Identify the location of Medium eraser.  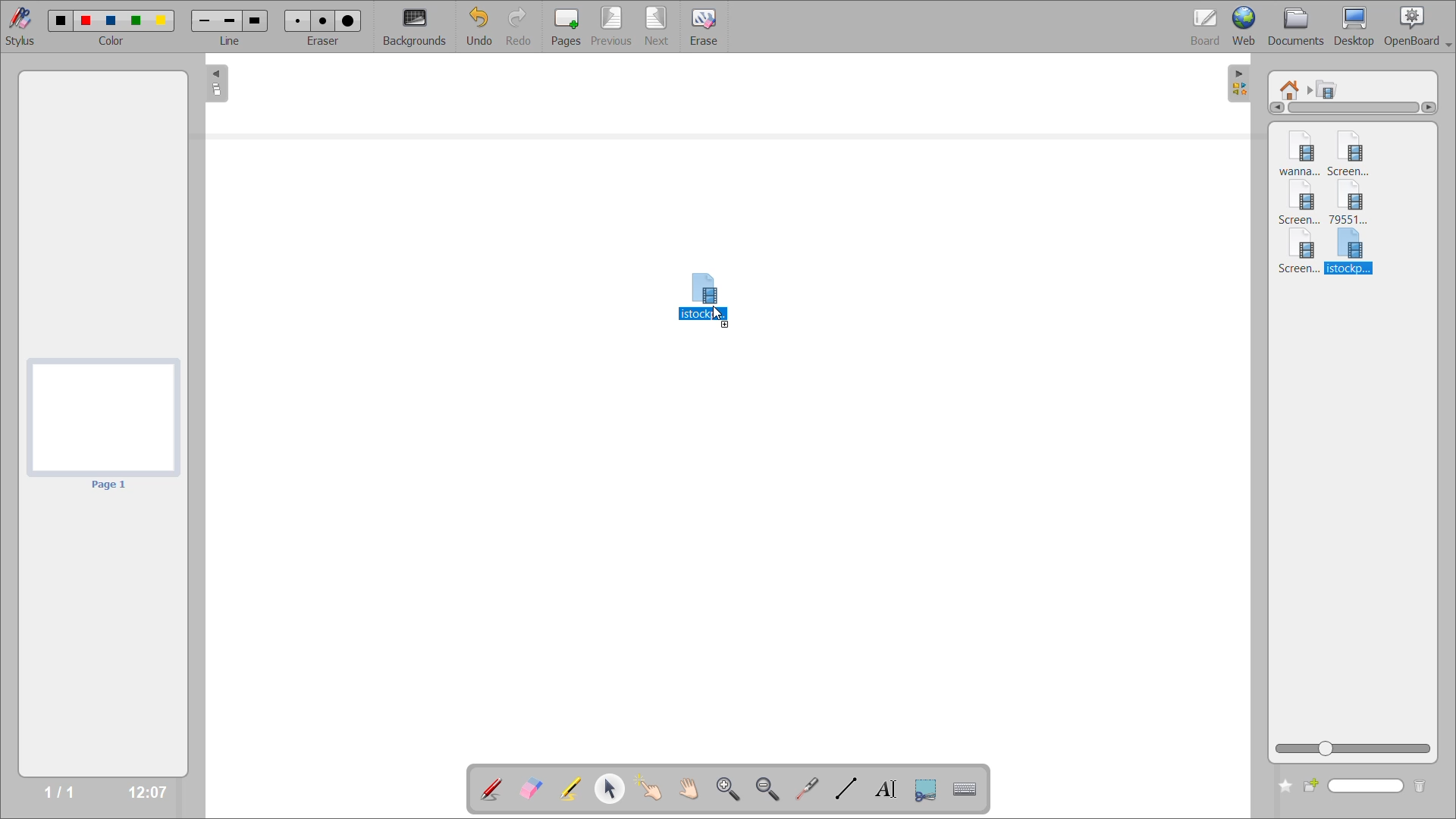
(322, 21).